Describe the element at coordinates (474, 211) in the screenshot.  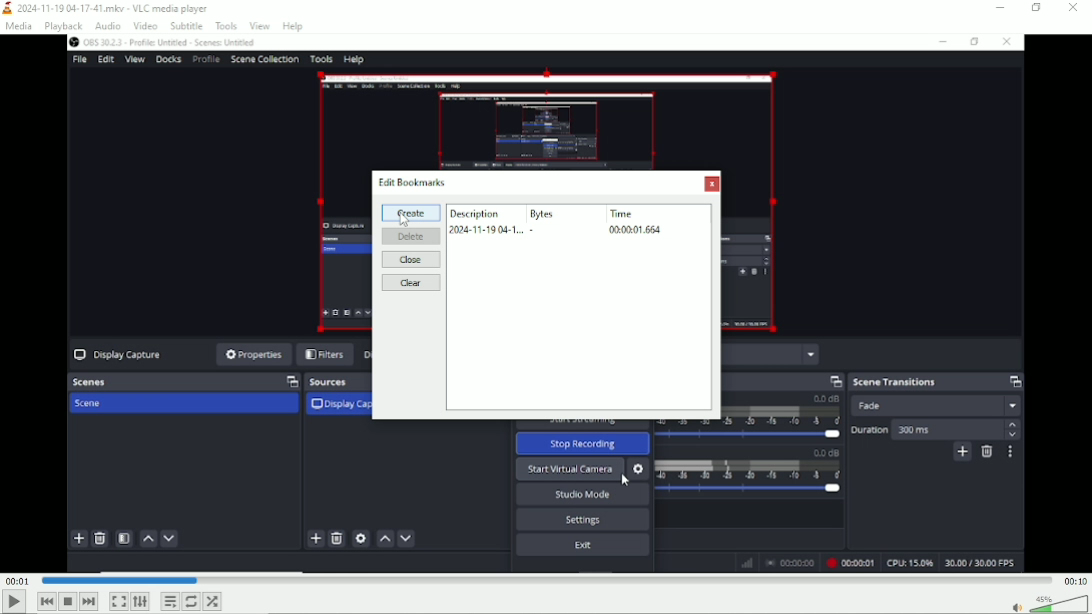
I see `description` at that location.